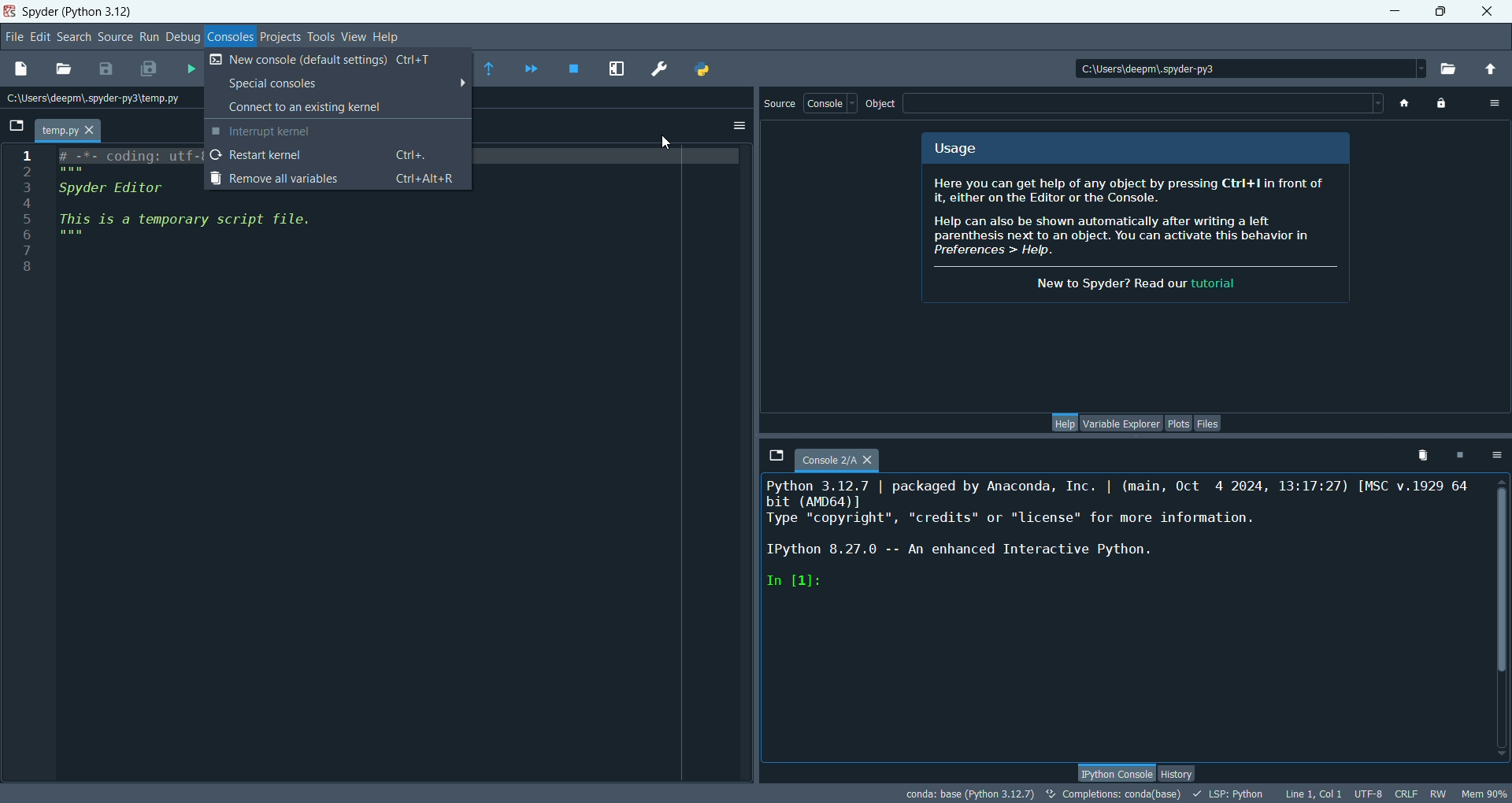 This screenshot has width=1512, height=803. I want to click on debug, so click(183, 38).